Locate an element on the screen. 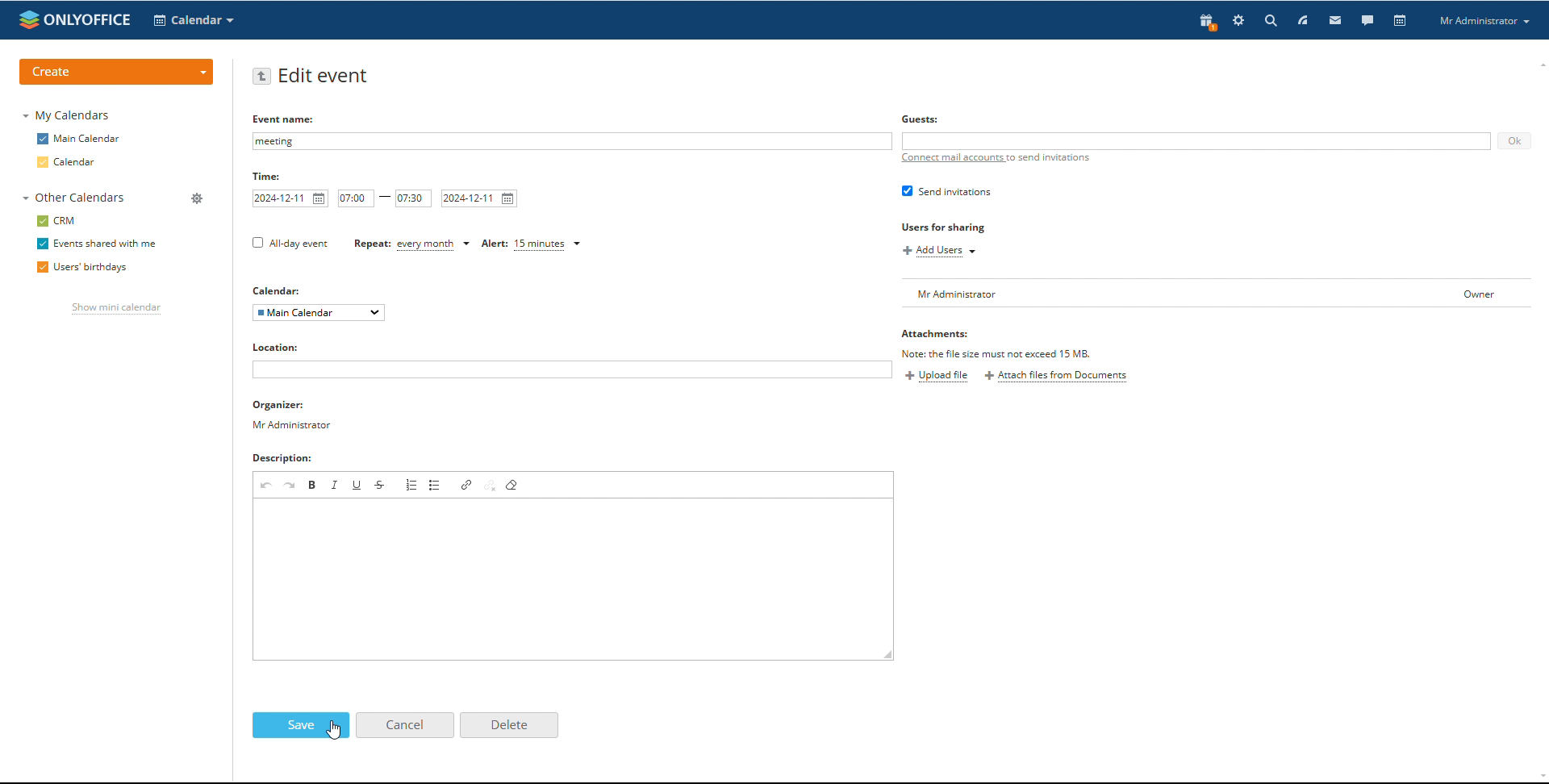  send invitation is located at coordinates (946, 190).